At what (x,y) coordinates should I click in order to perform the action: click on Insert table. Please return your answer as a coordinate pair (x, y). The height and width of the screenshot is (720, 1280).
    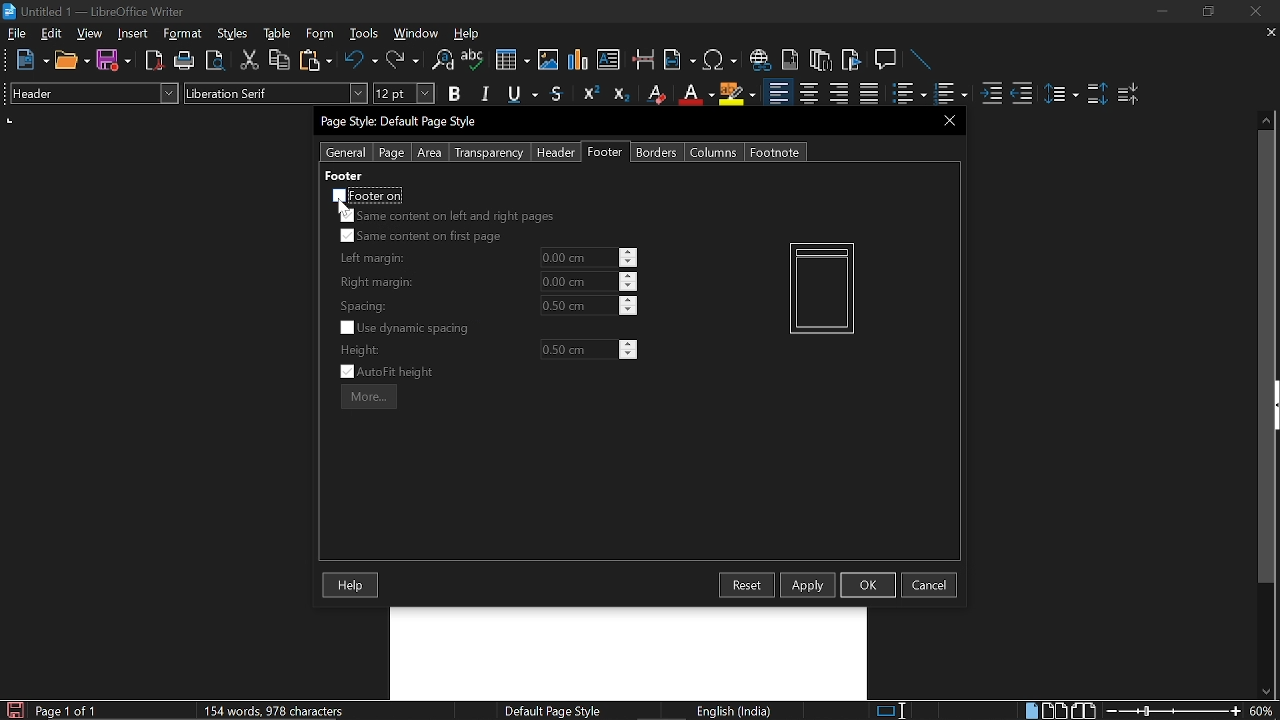
    Looking at the image, I should click on (511, 61).